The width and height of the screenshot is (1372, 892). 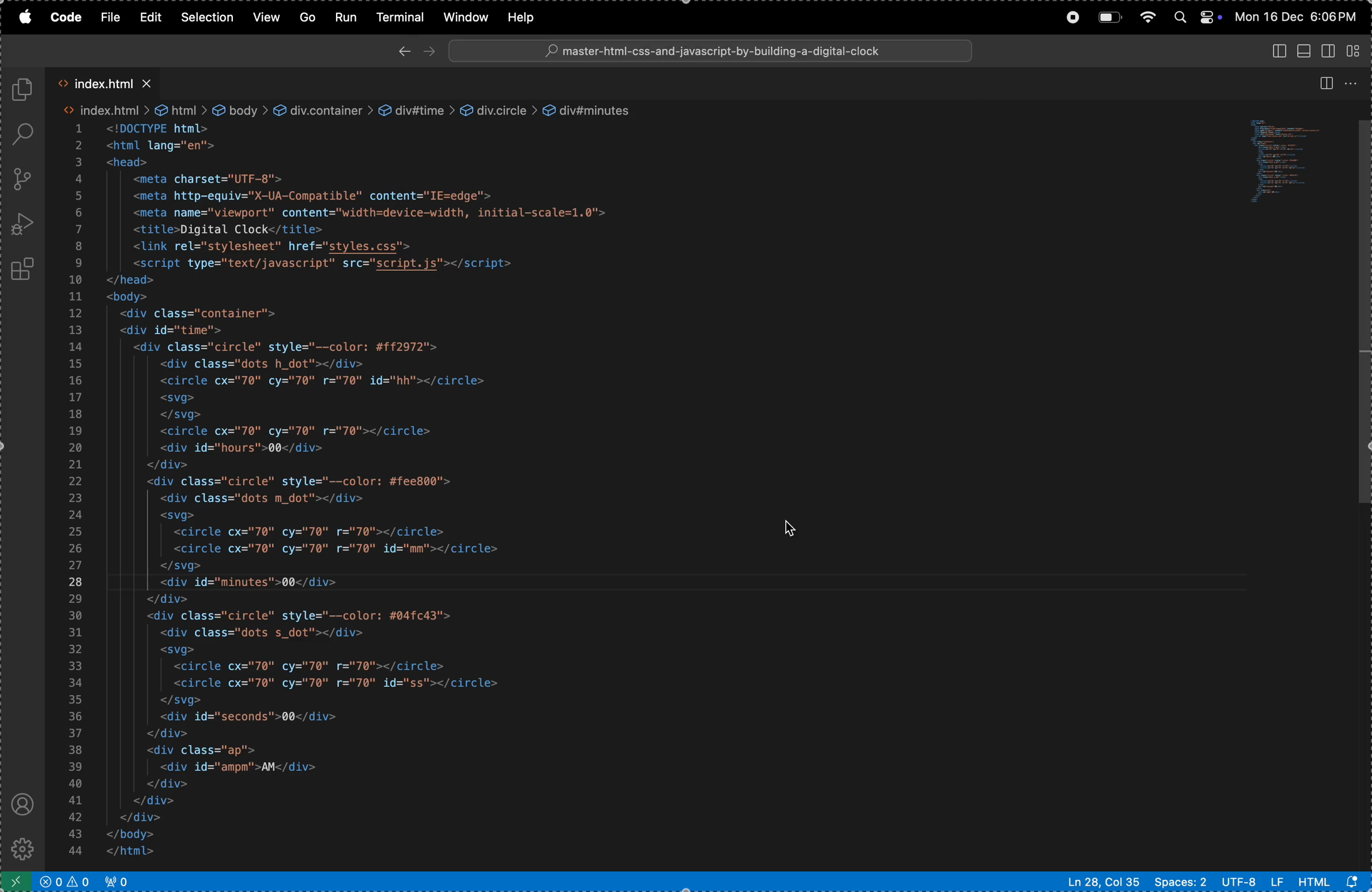 I want to click on code window, so click(x=1299, y=163).